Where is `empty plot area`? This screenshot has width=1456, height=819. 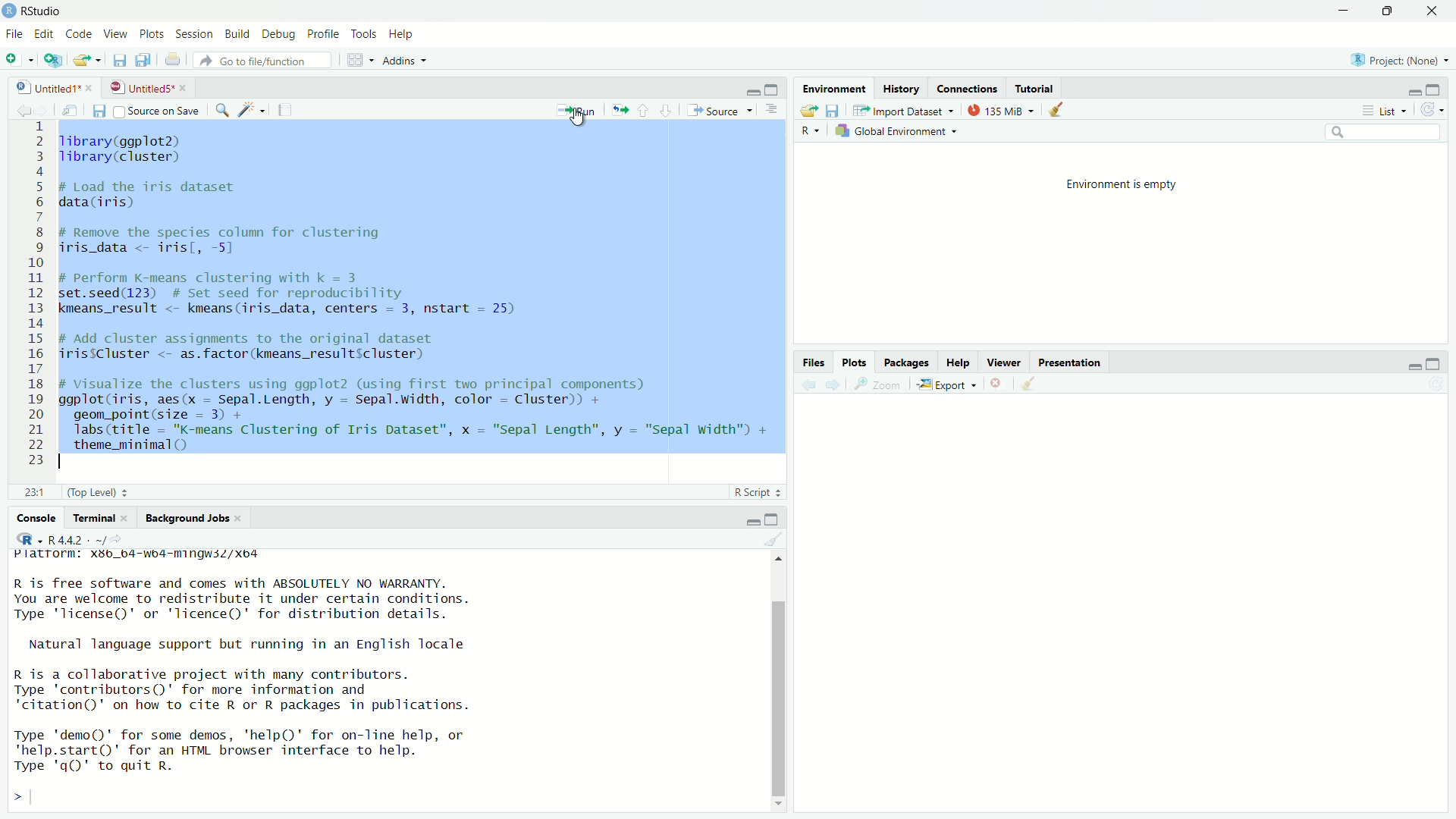 empty plot area is located at coordinates (1126, 608).